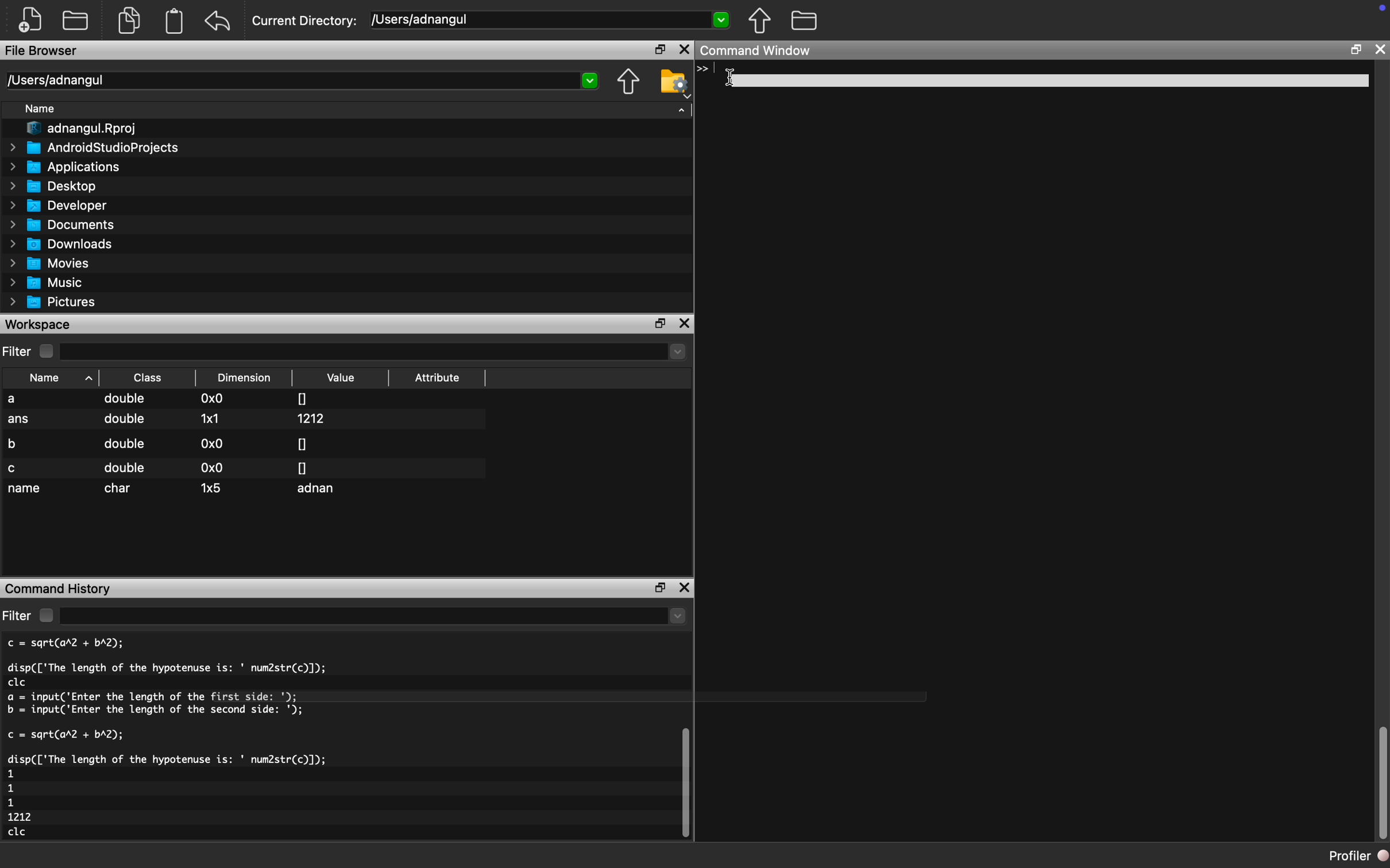  Describe the element at coordinates (804, 19) in the screenshot. I see `folder` at that location.